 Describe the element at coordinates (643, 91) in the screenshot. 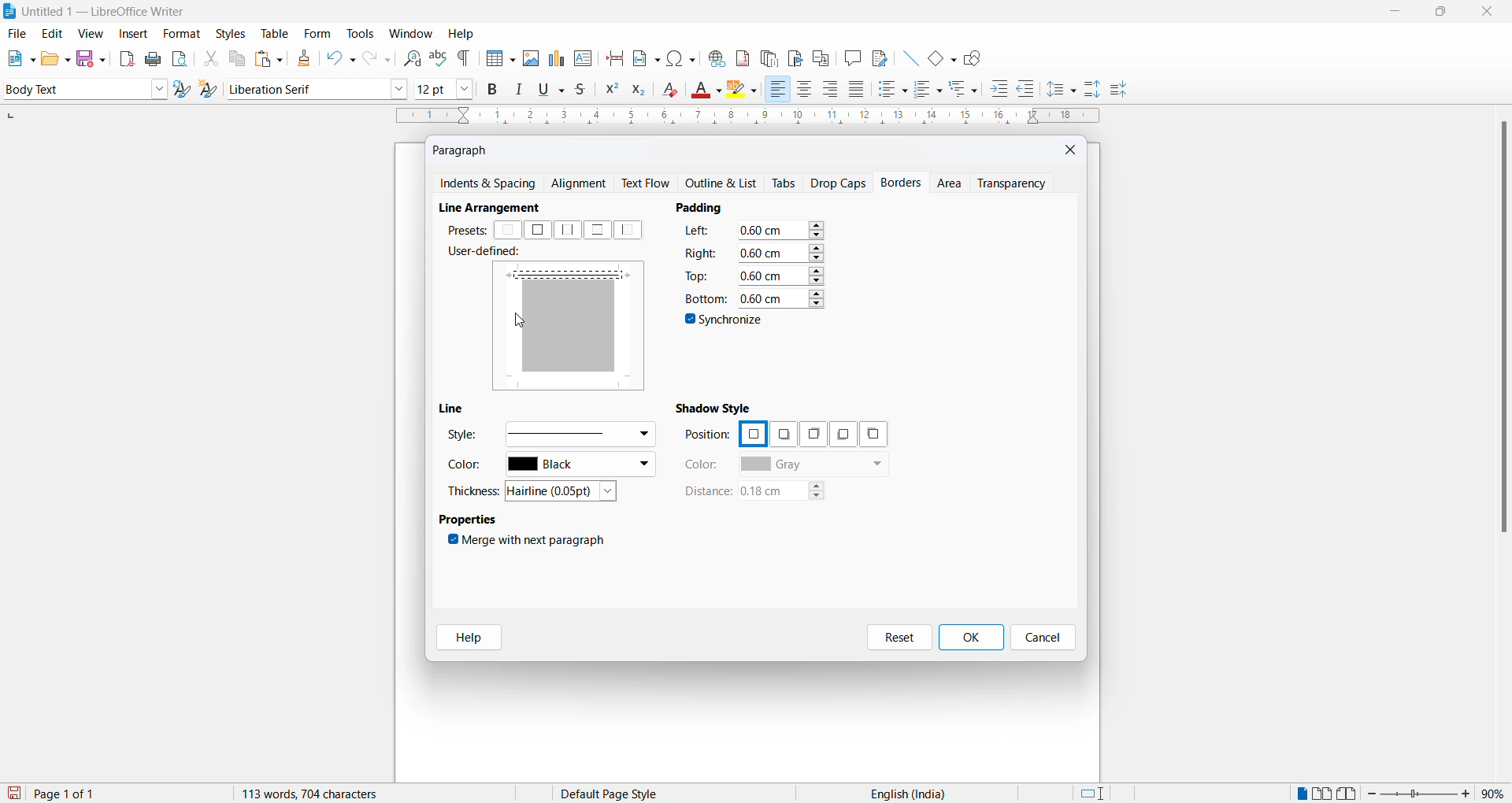

I see `subscript` at that location.